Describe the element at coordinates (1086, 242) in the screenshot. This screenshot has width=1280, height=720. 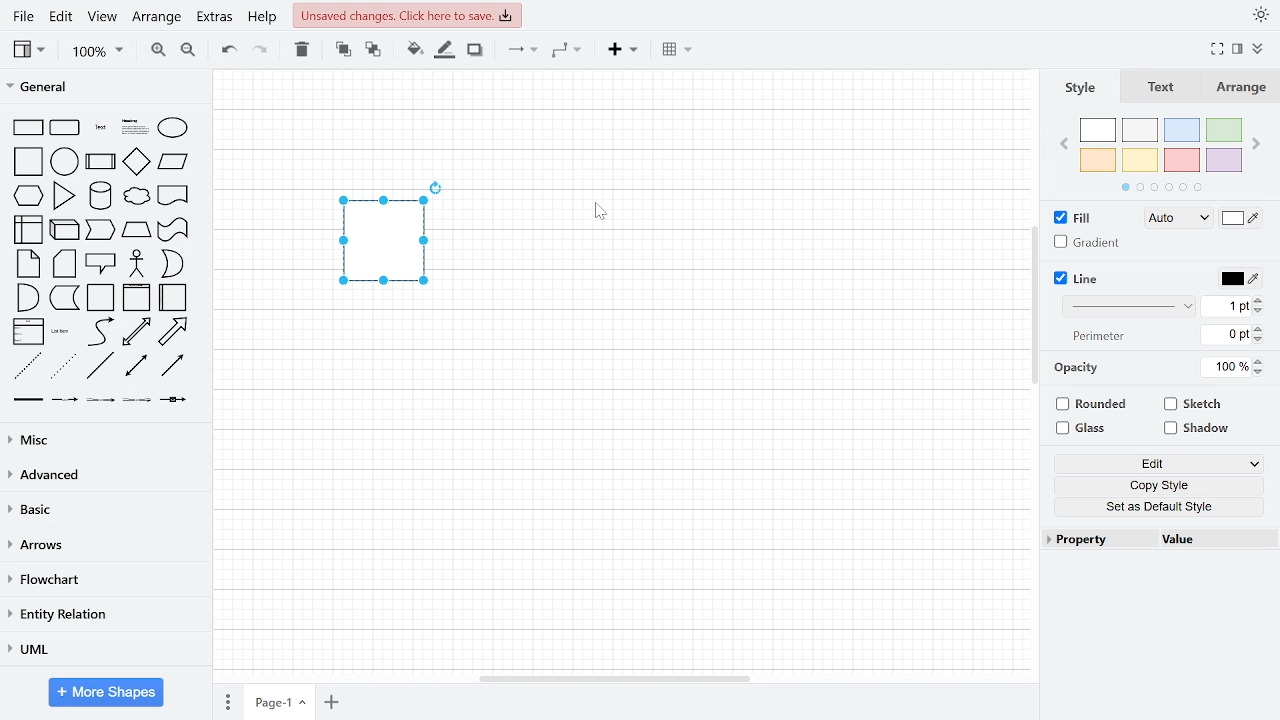
I see `Gradient` at that location.